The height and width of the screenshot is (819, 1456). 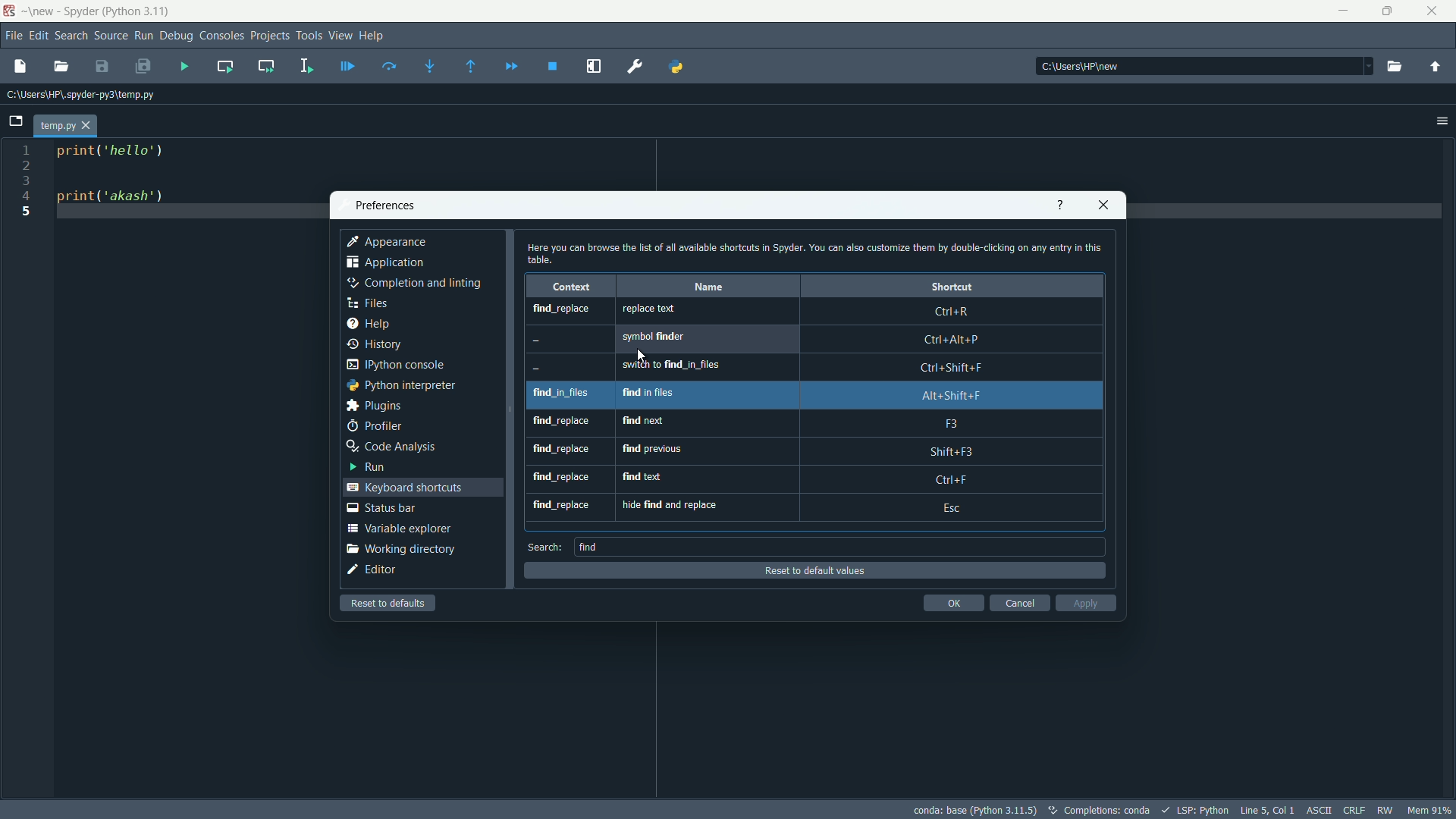 What do you see at coordinates (13, 33) in the screenshot?
I see `file menu` at bounding box center [13, 33].